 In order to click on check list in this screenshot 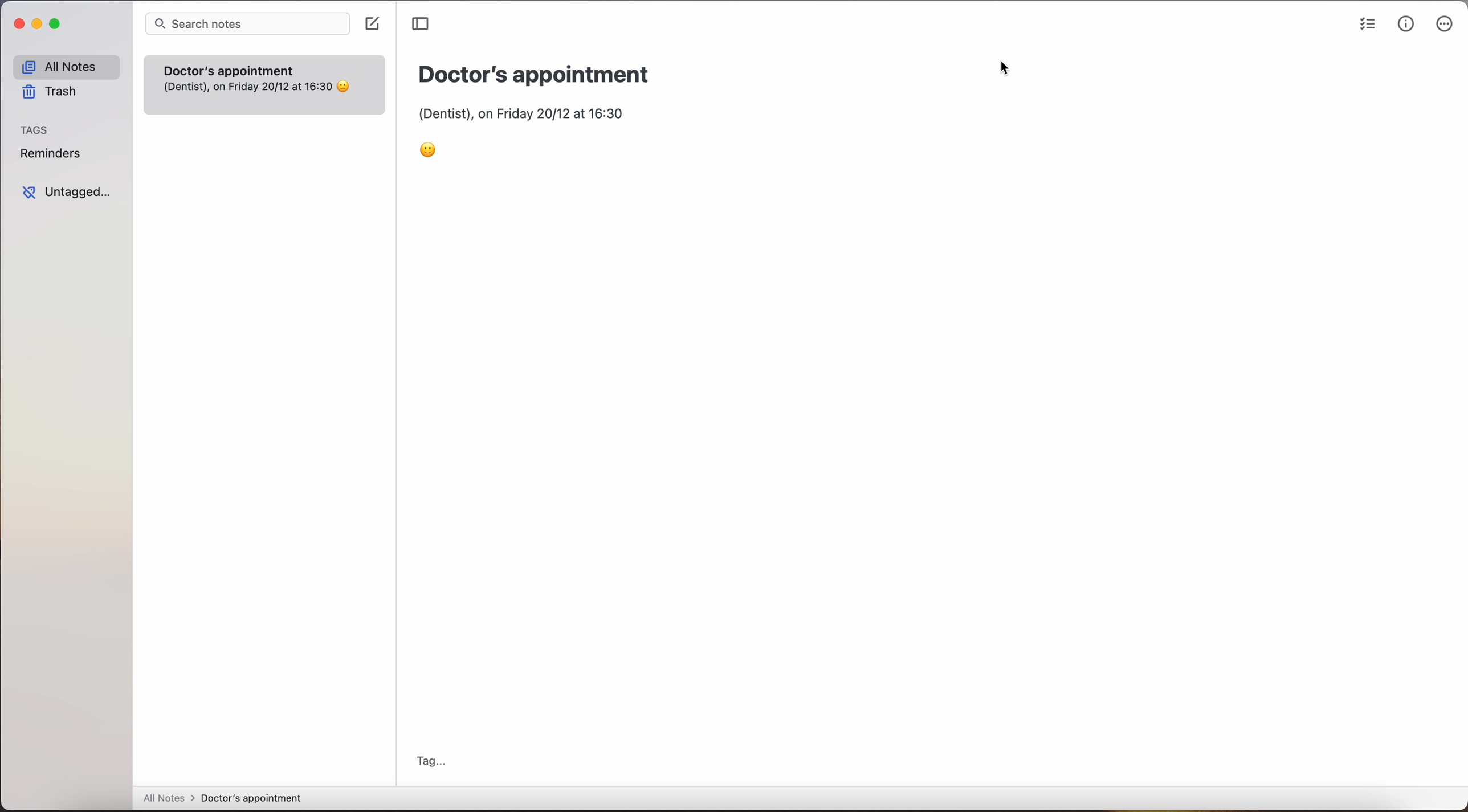, I will do `click(1364, 25)`.